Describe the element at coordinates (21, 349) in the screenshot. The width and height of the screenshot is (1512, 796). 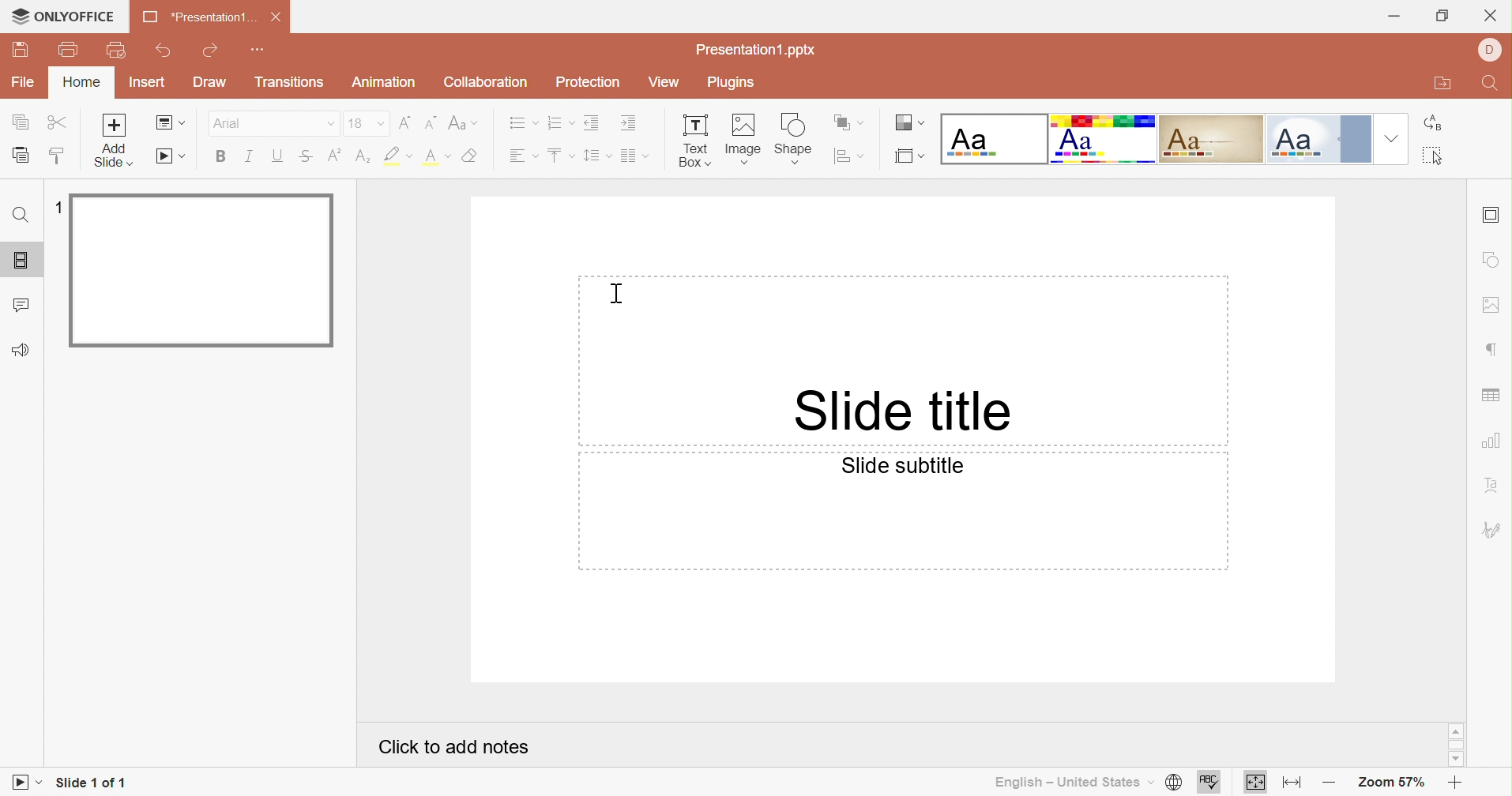
I see `Feedback and Support` at that location.